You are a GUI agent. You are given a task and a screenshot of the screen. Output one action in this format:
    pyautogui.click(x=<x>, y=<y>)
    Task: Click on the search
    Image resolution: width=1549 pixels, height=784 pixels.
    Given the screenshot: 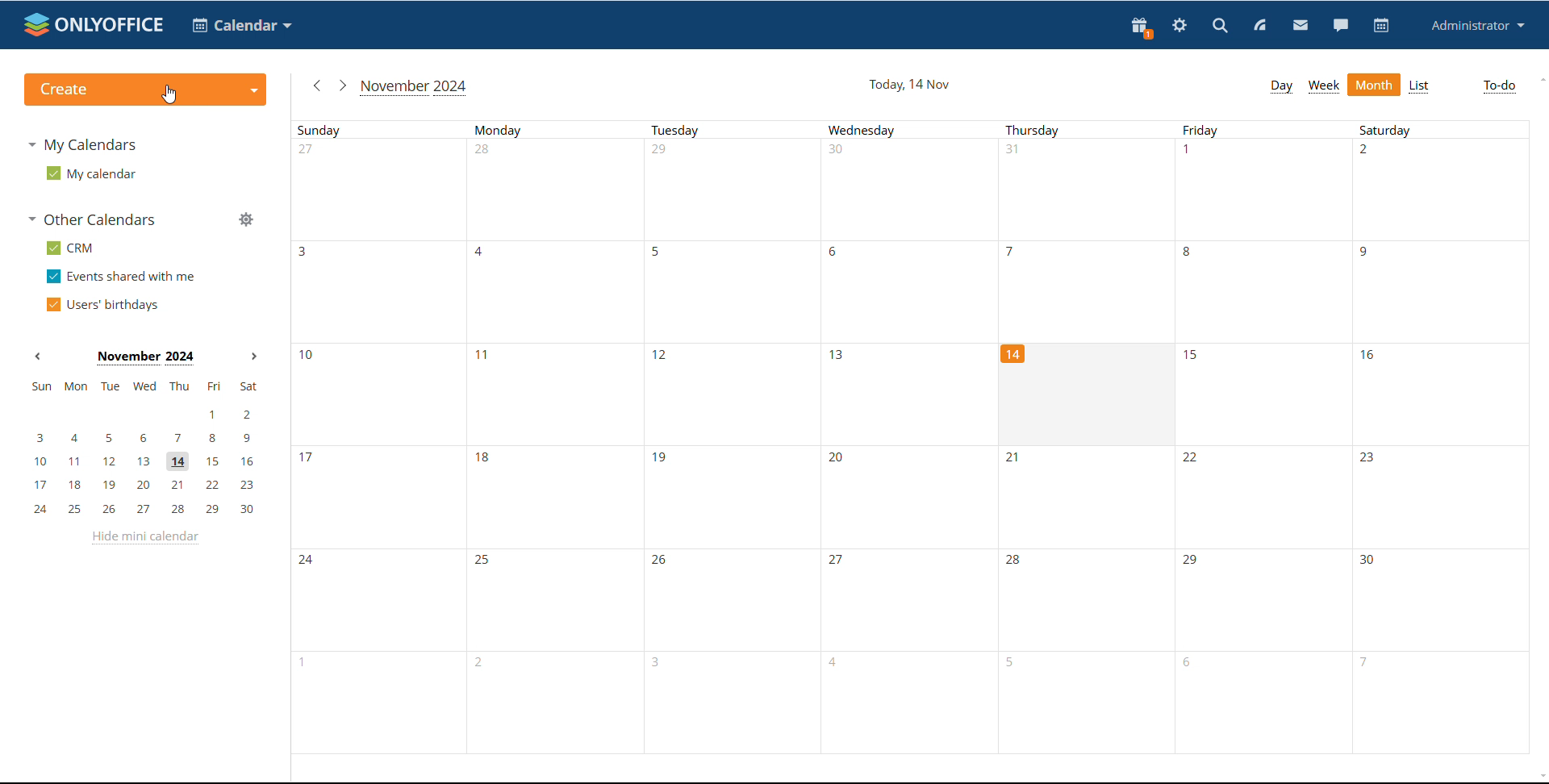 What is the action you would take?
    pyautogui.click(x=1219, y=27)
    